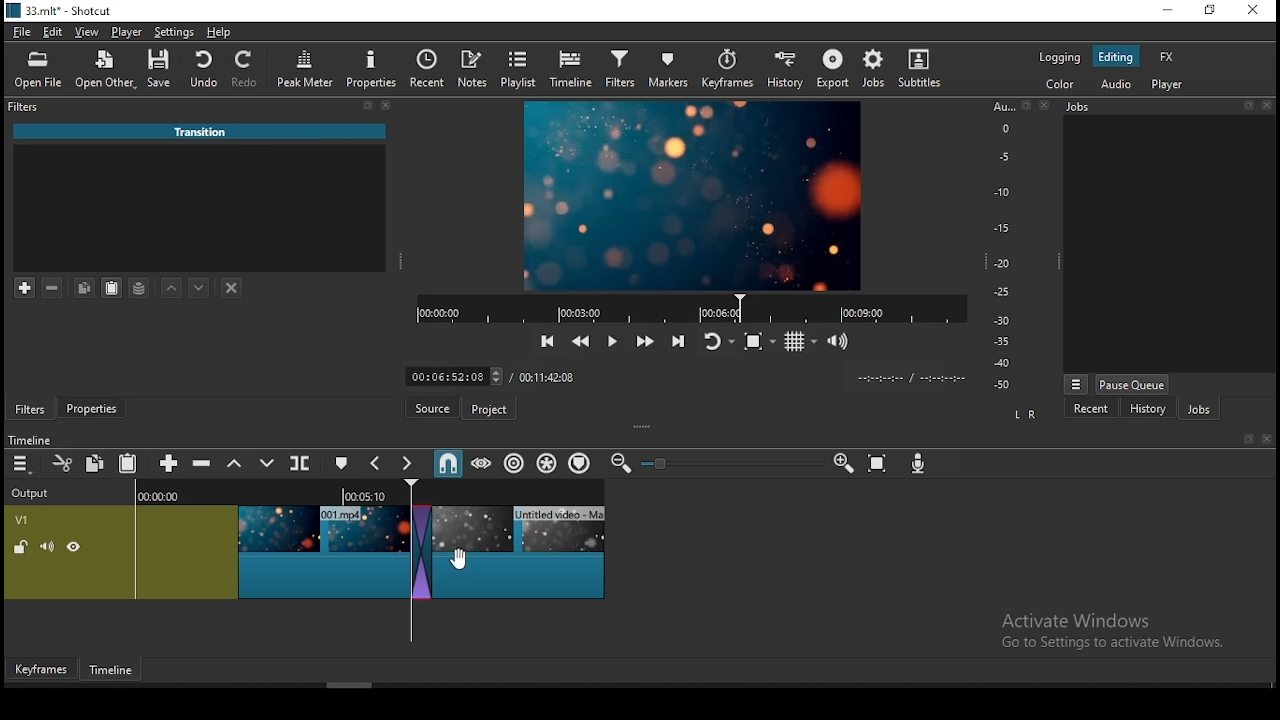 The height and width of the screenshot is (720, 1280). What do you see at coordinates (580, 462) in the screenshot?
I see `ripple markers` at bounding box center [580, 462].